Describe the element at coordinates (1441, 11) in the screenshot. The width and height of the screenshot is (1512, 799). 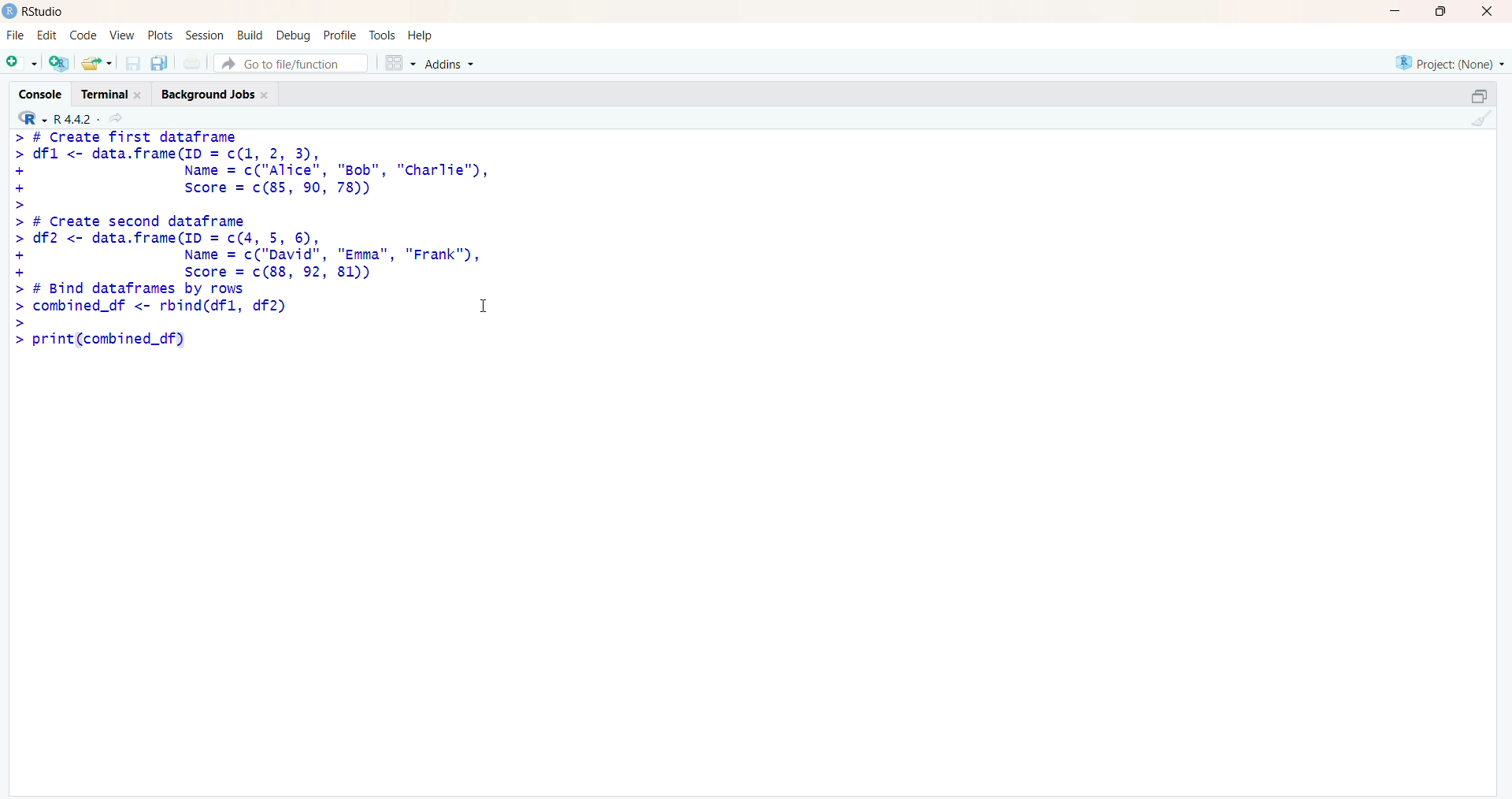
I see `maximize` at that location.